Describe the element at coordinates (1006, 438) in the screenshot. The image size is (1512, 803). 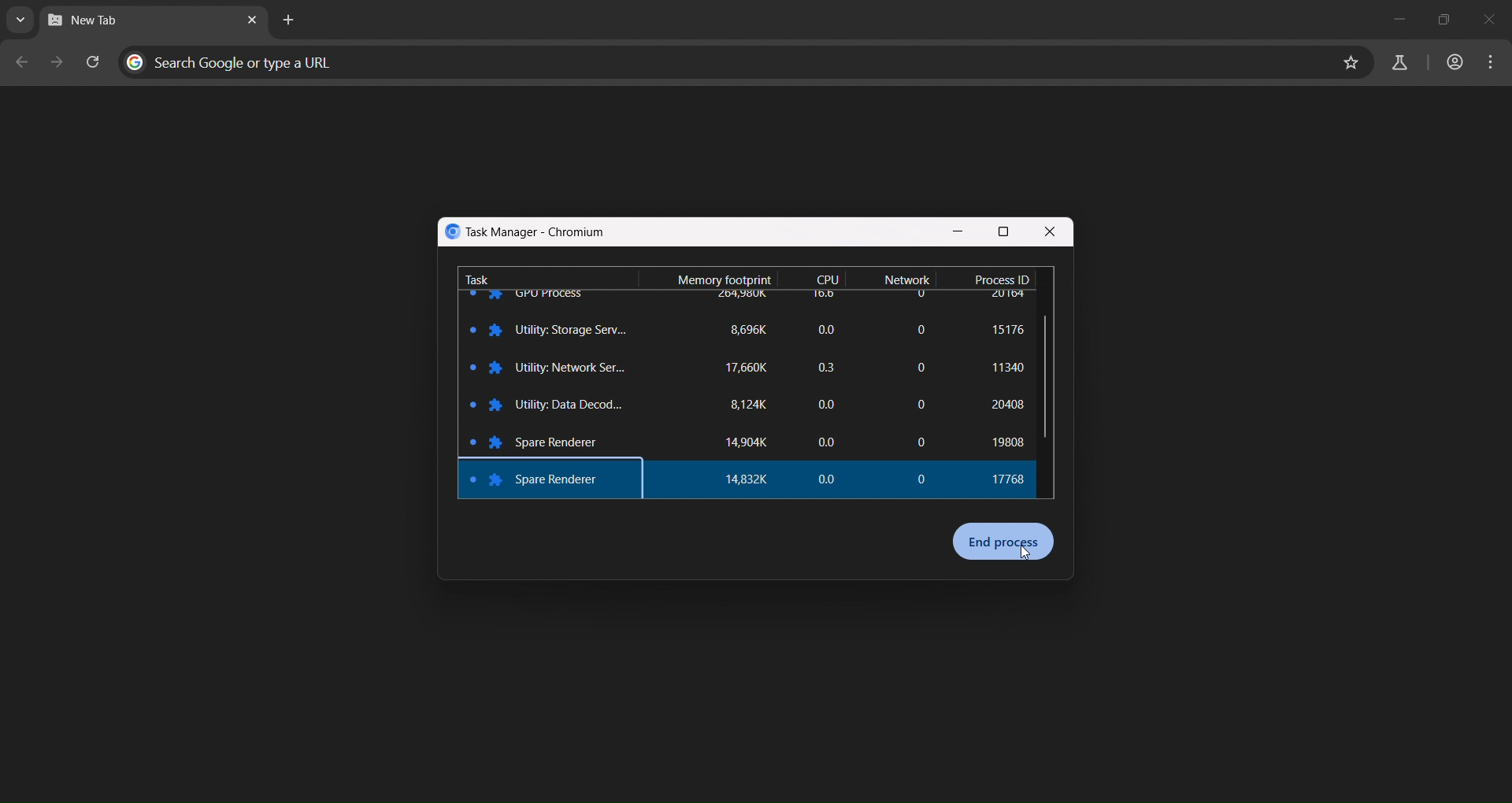
I see `19808` at that location.